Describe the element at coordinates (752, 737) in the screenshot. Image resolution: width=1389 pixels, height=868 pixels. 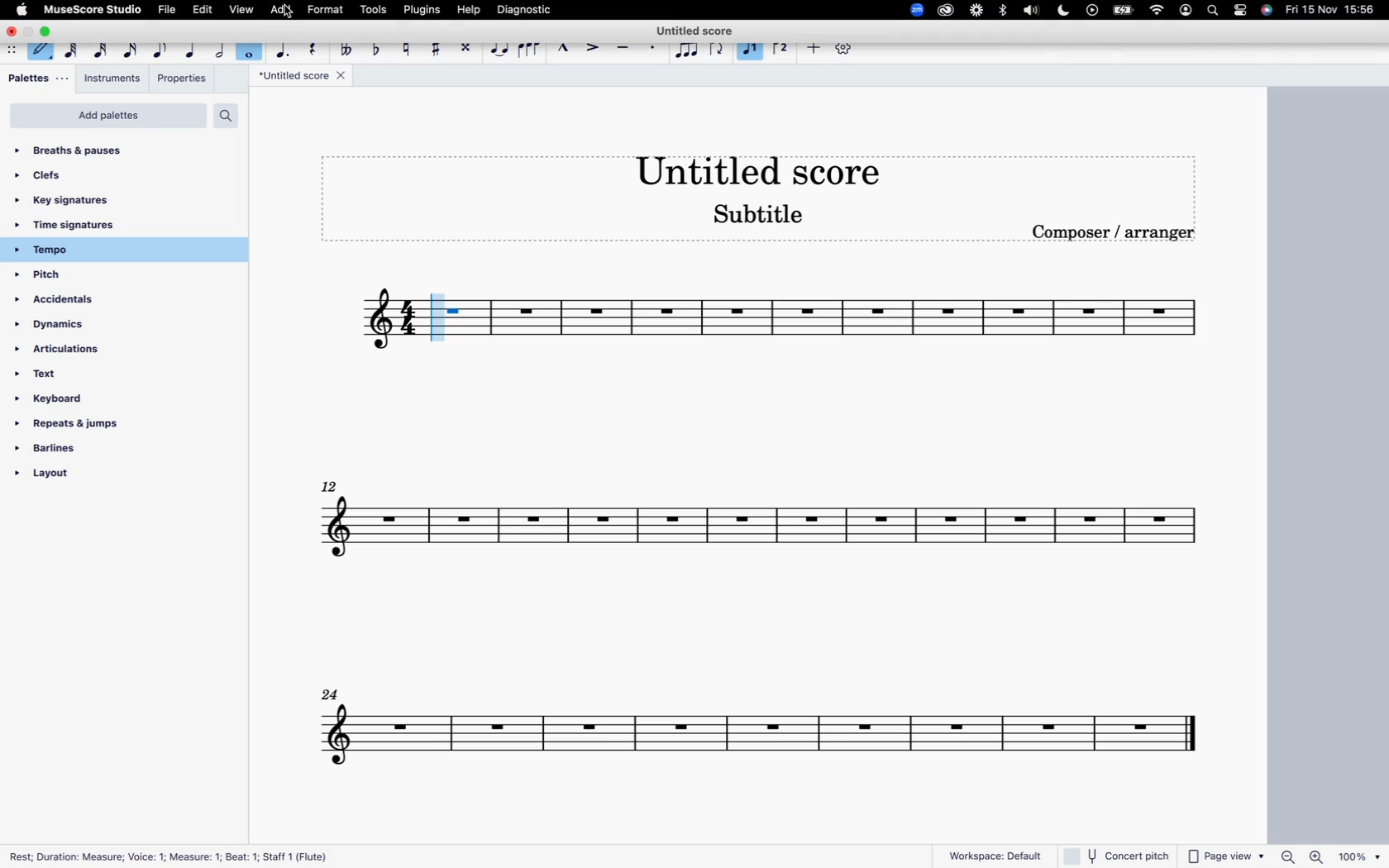
I see `score` at that location.